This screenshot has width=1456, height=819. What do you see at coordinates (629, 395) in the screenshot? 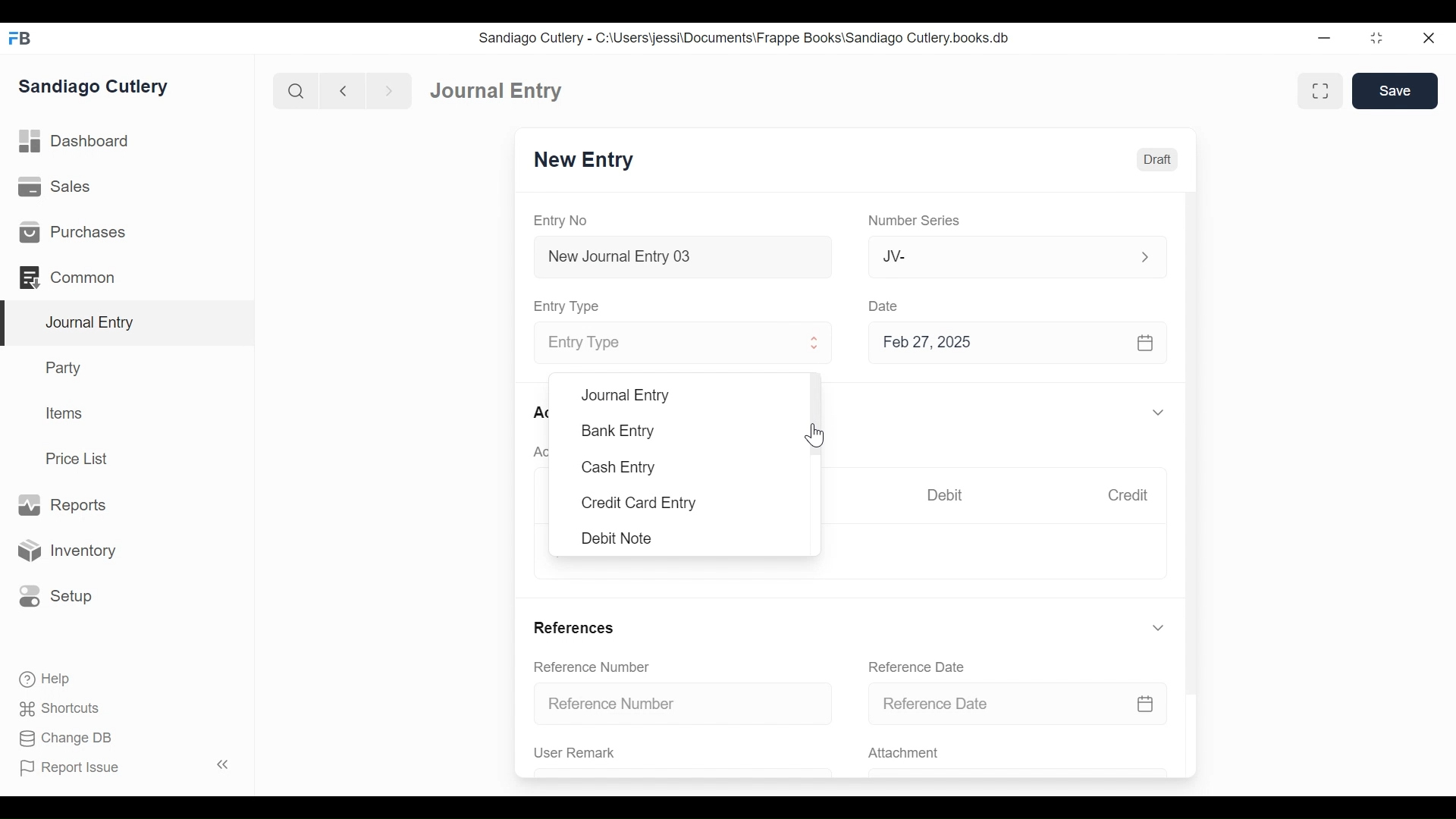
I see `Journal Entry` at bounding box center [629, 395].